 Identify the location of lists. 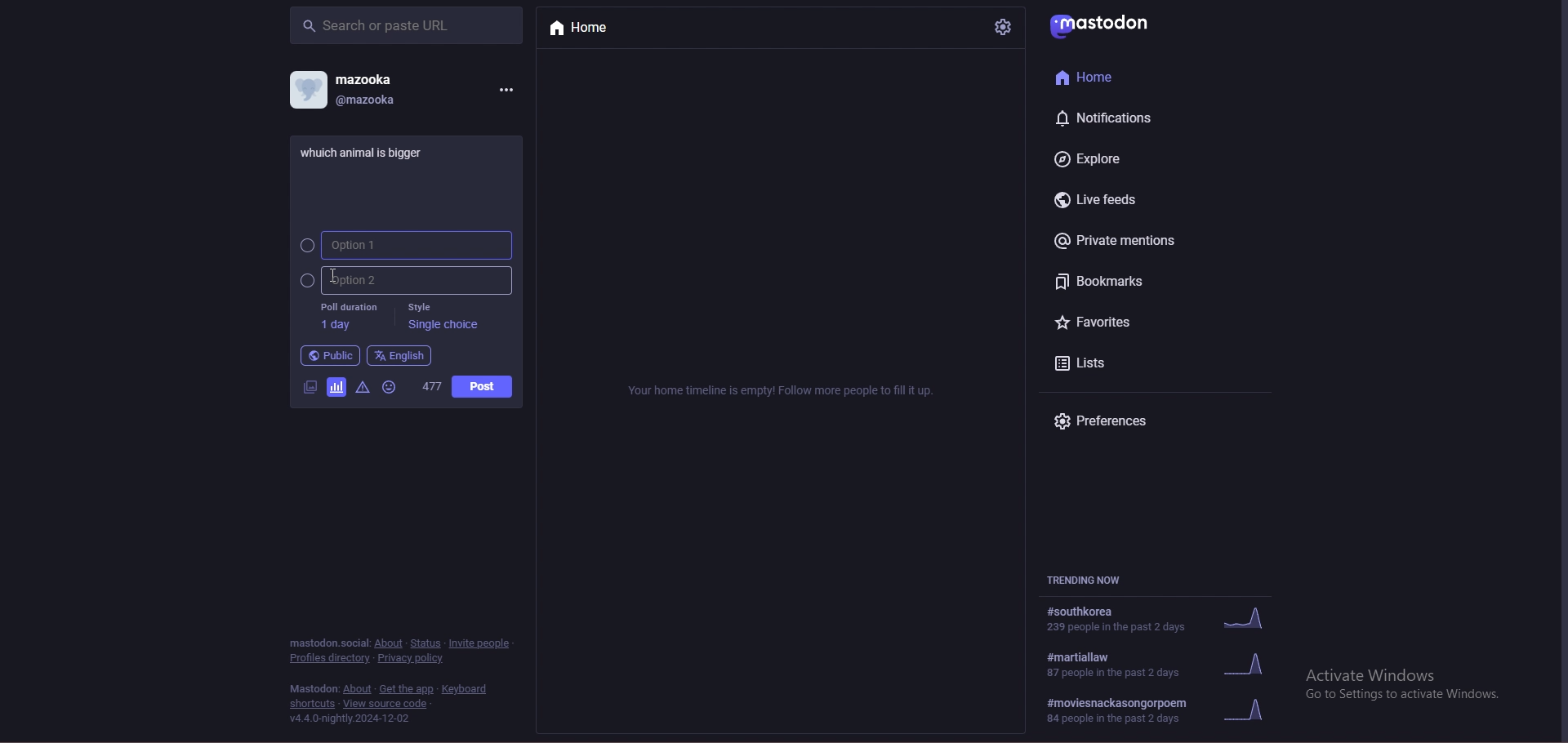
(1111, 363).